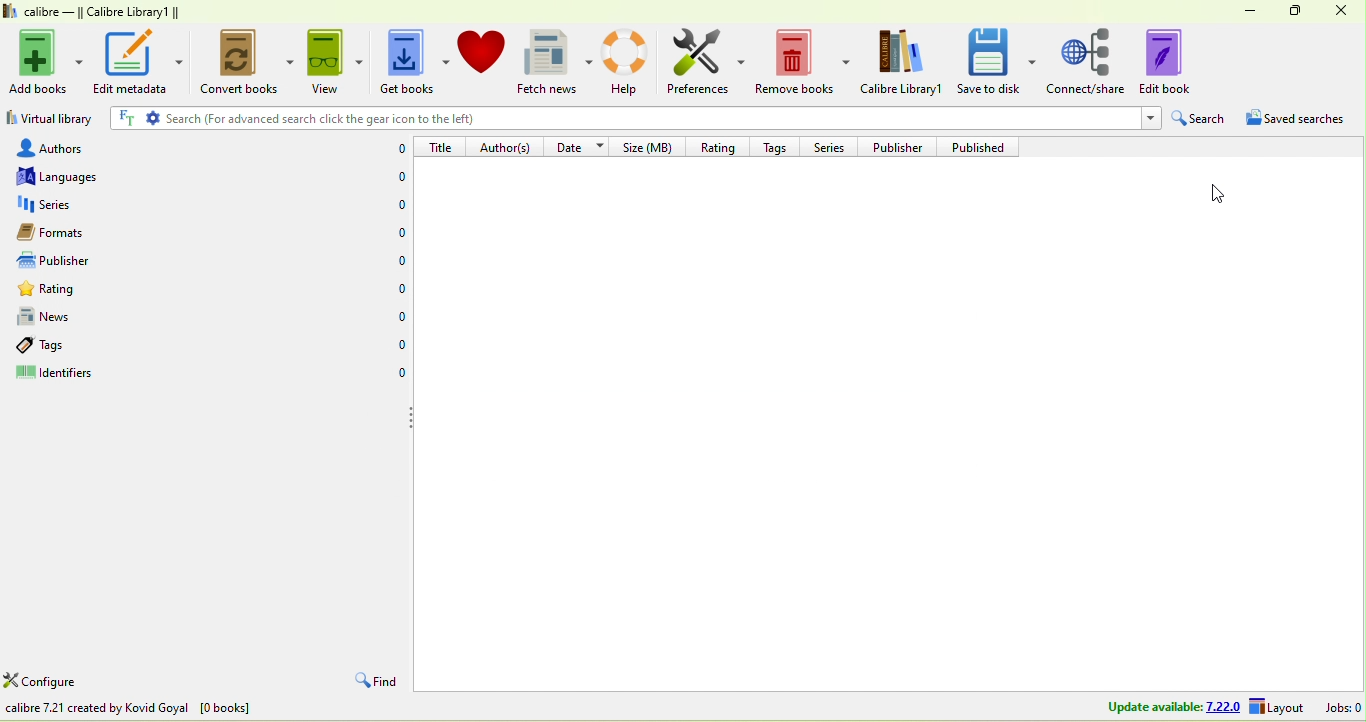 The width and height of the screenshot is (1366, 722). I want to click on minimize, so click(1243, 9).